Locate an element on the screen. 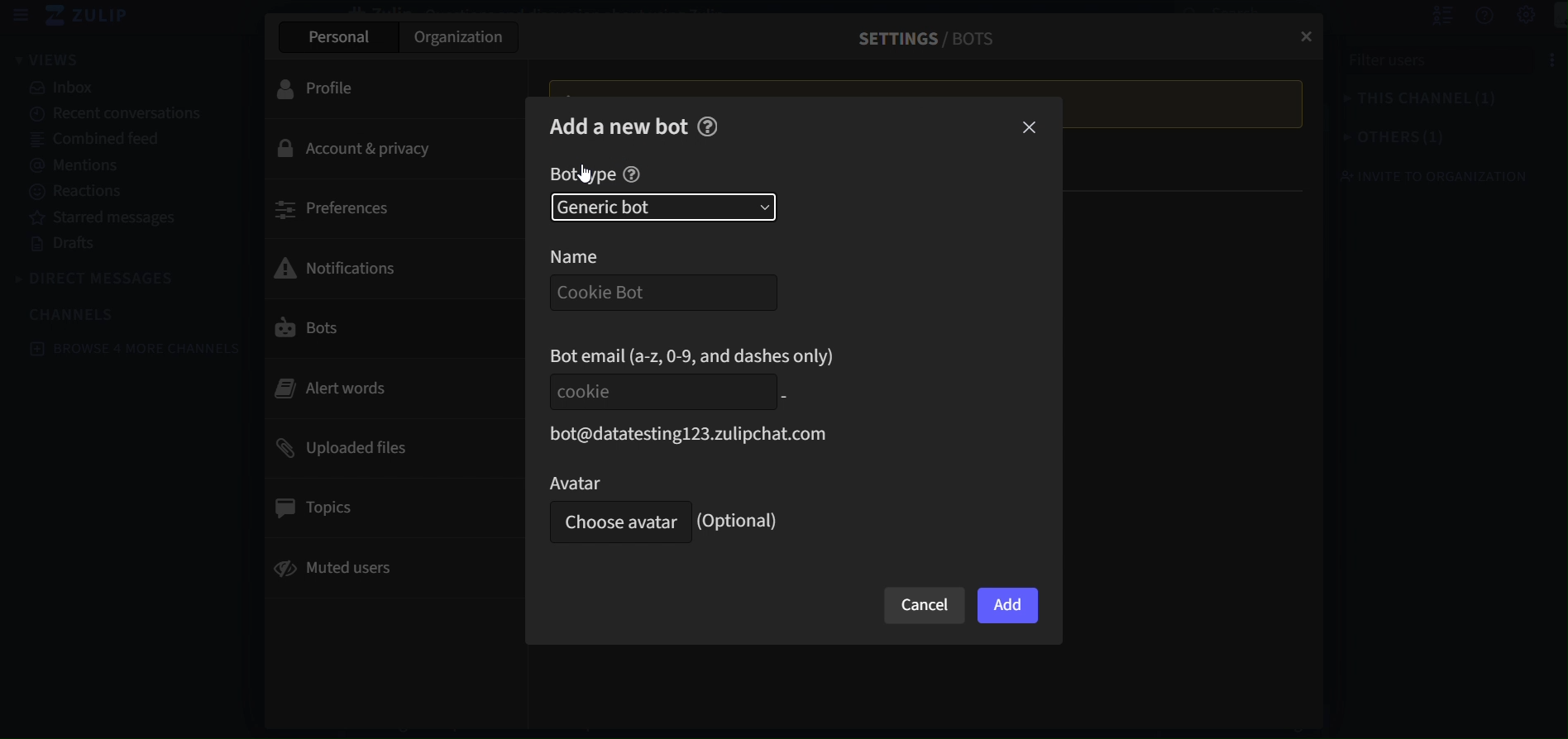 The width and height of the screenshot is (1568, 739). personal is located at coordinates (336, 37).